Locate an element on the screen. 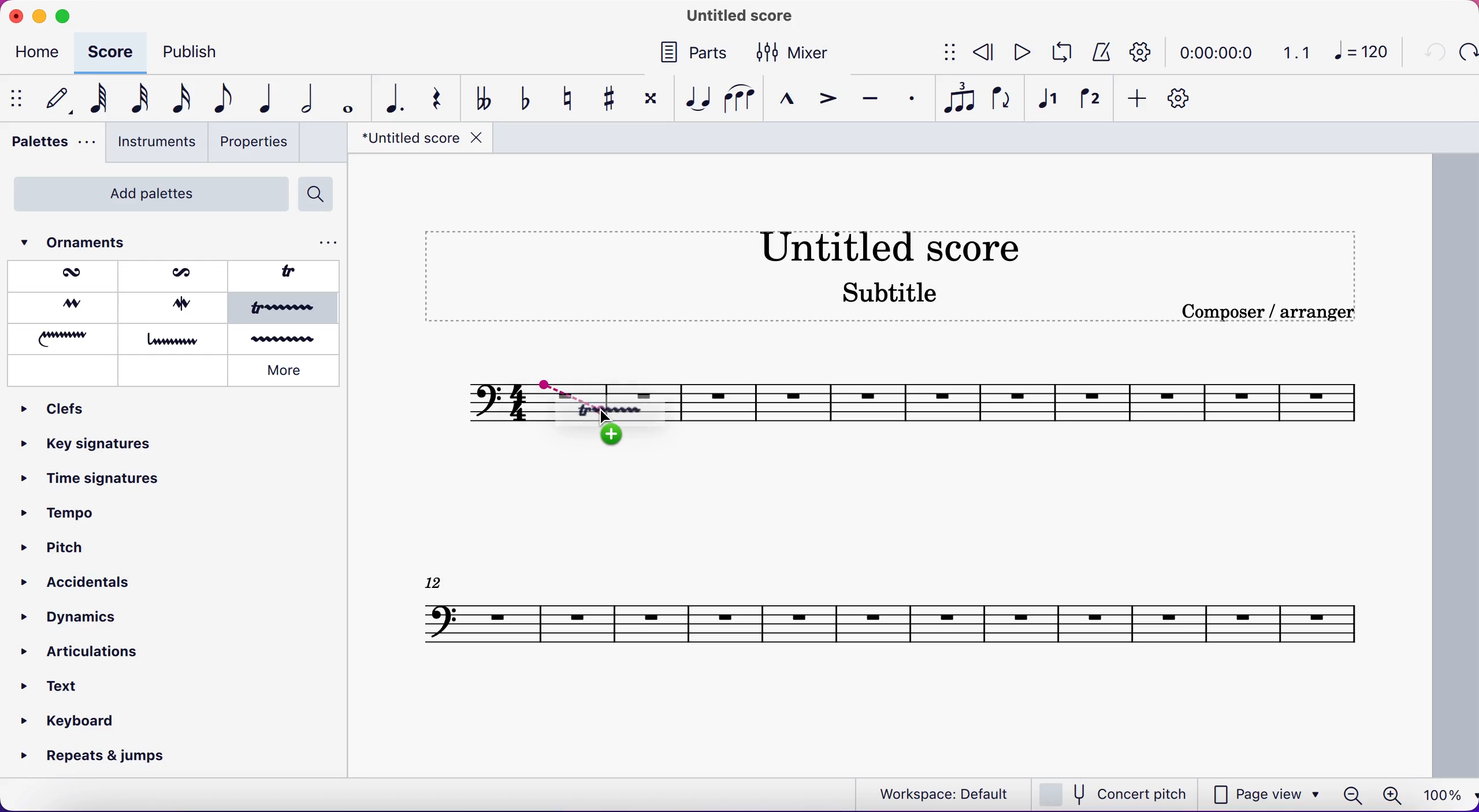 The image size is (1479, 812). 100% is located at coordinates (1444, 796).